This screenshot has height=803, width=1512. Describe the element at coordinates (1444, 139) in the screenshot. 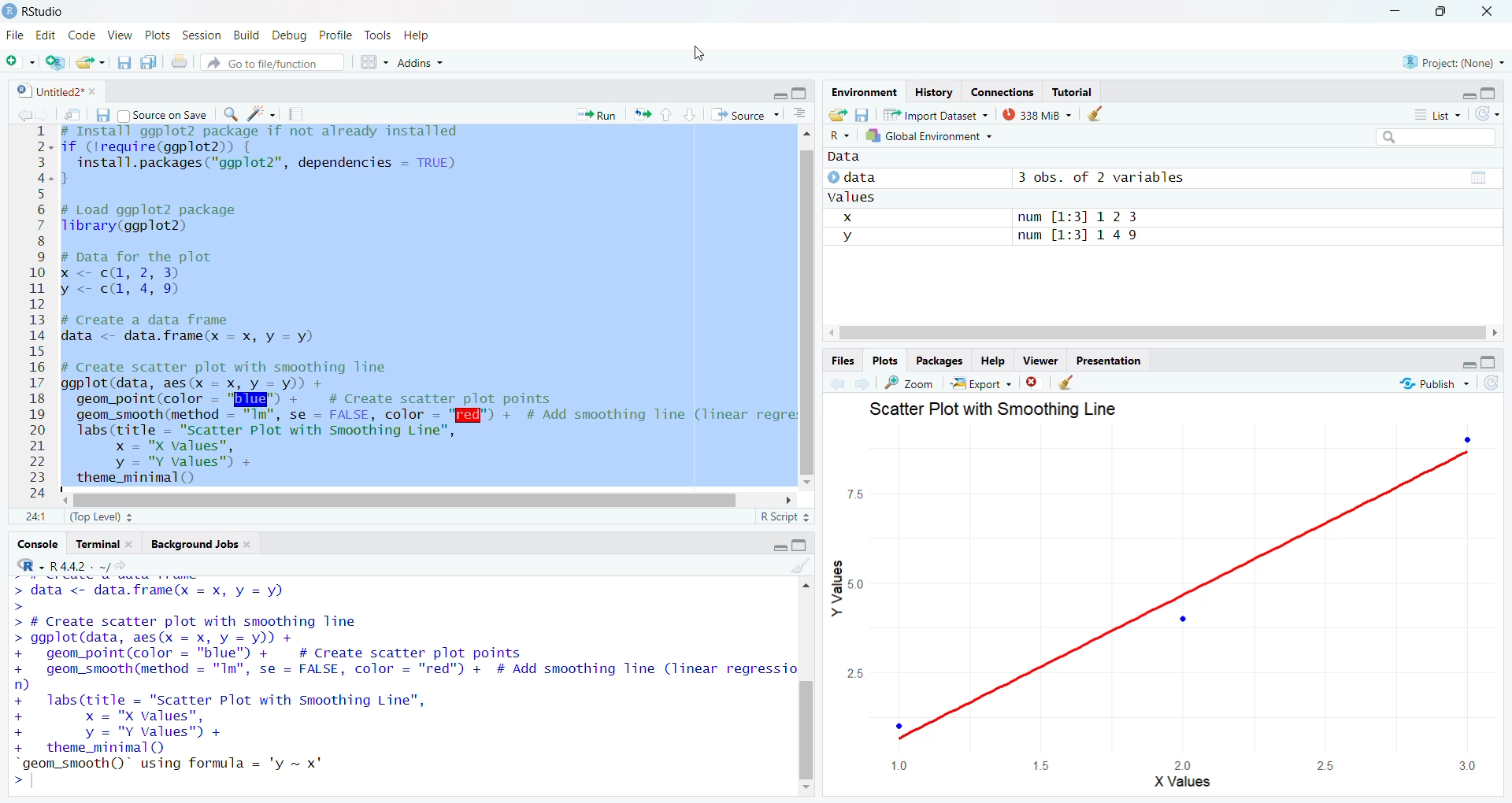

I see `search bar` at that location.